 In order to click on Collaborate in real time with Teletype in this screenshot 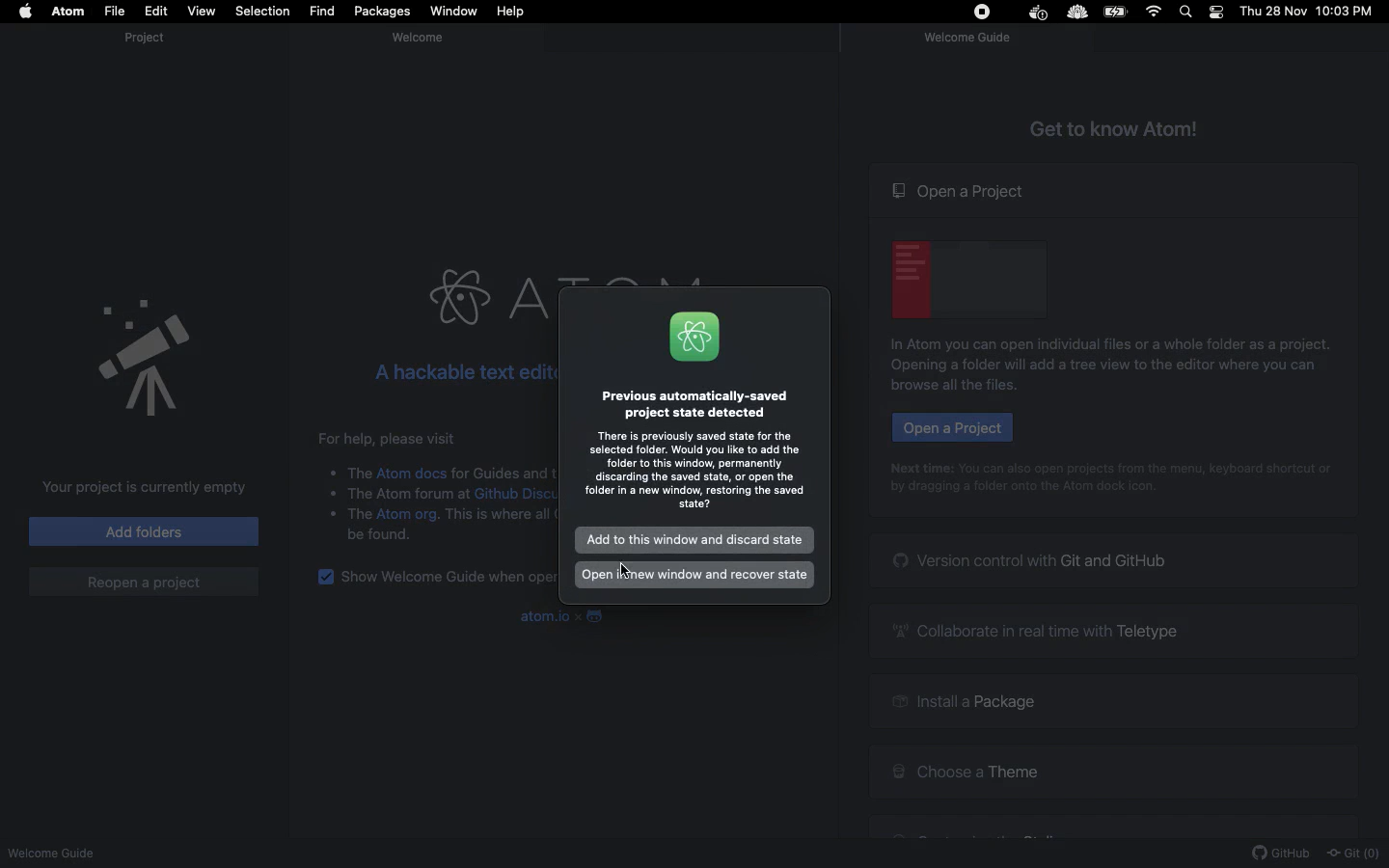, I will do `click(1042, 630)`.